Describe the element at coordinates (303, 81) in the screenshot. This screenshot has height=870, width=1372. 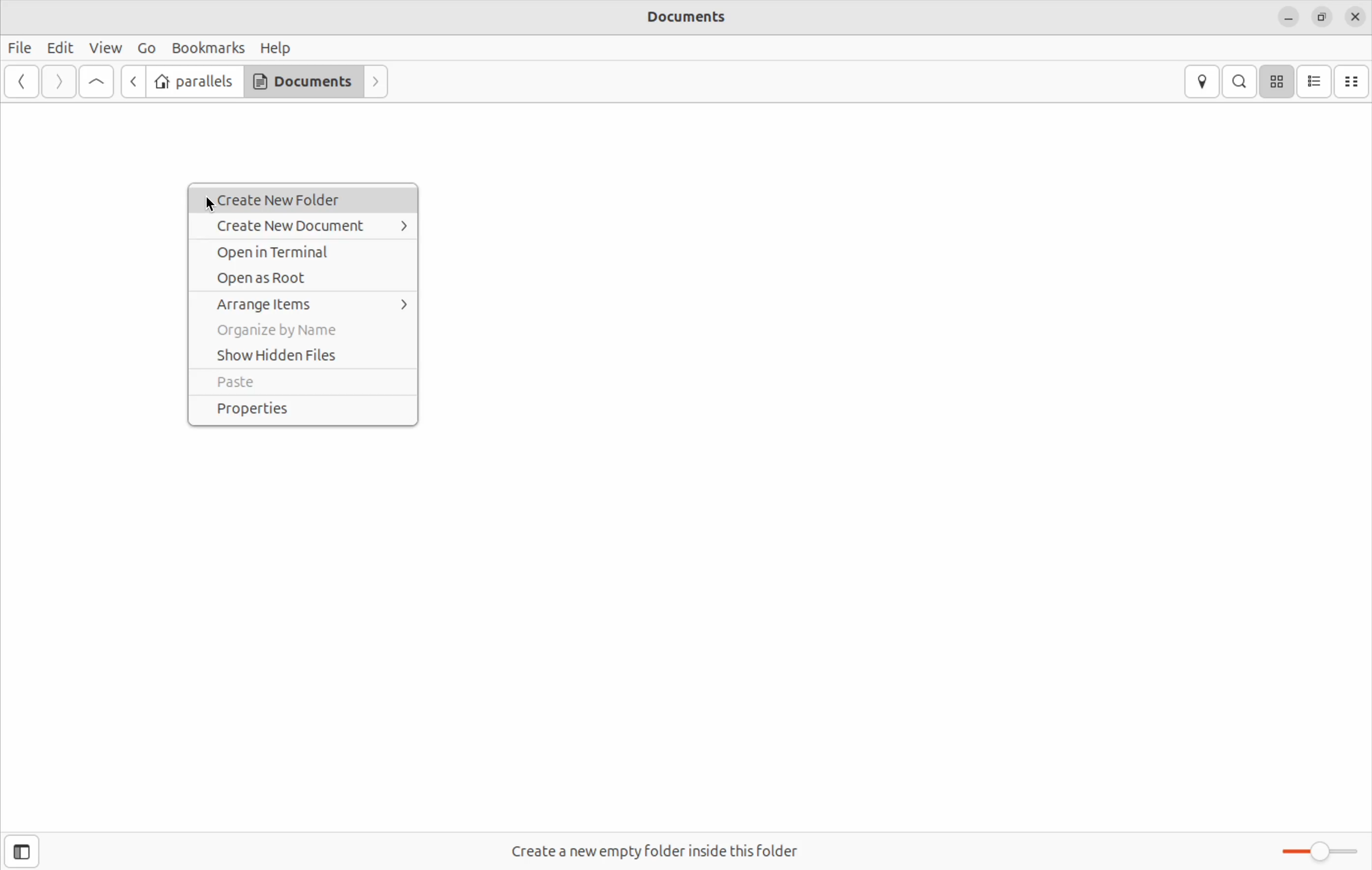
I see `Documents` at that location.